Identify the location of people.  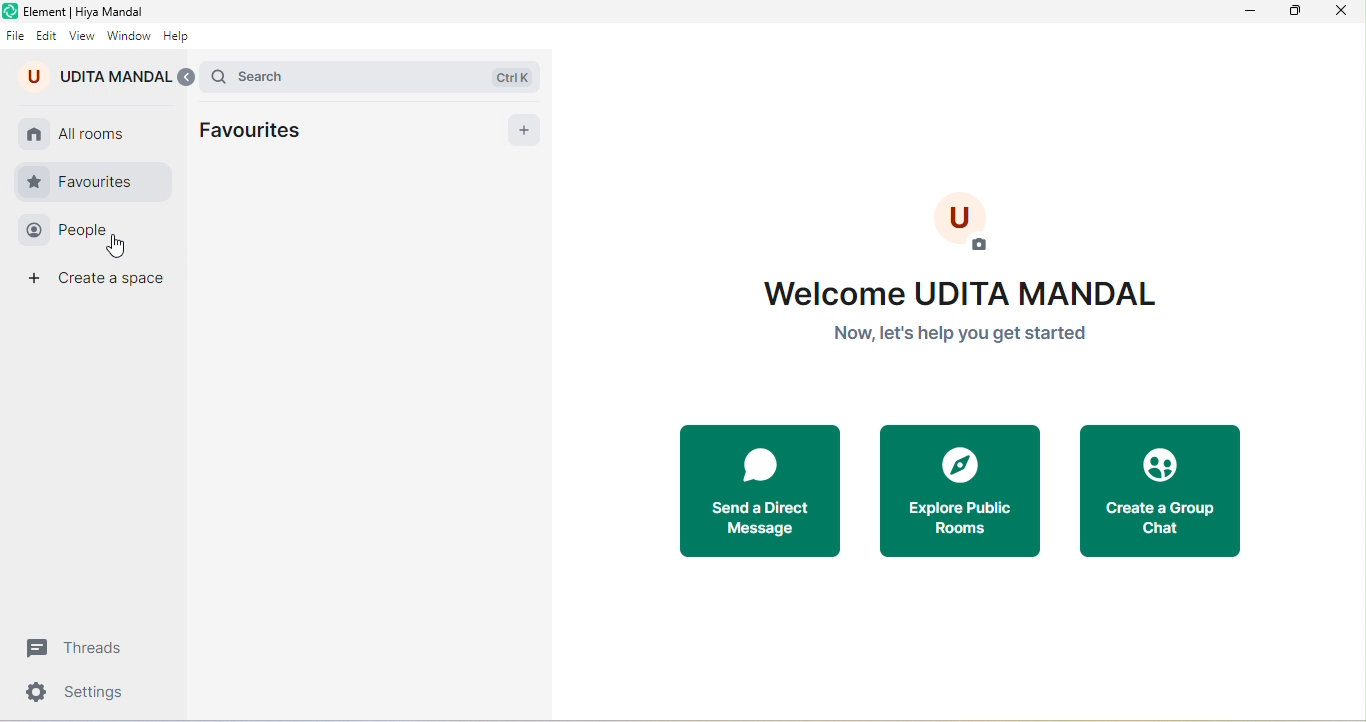
(88, 229).